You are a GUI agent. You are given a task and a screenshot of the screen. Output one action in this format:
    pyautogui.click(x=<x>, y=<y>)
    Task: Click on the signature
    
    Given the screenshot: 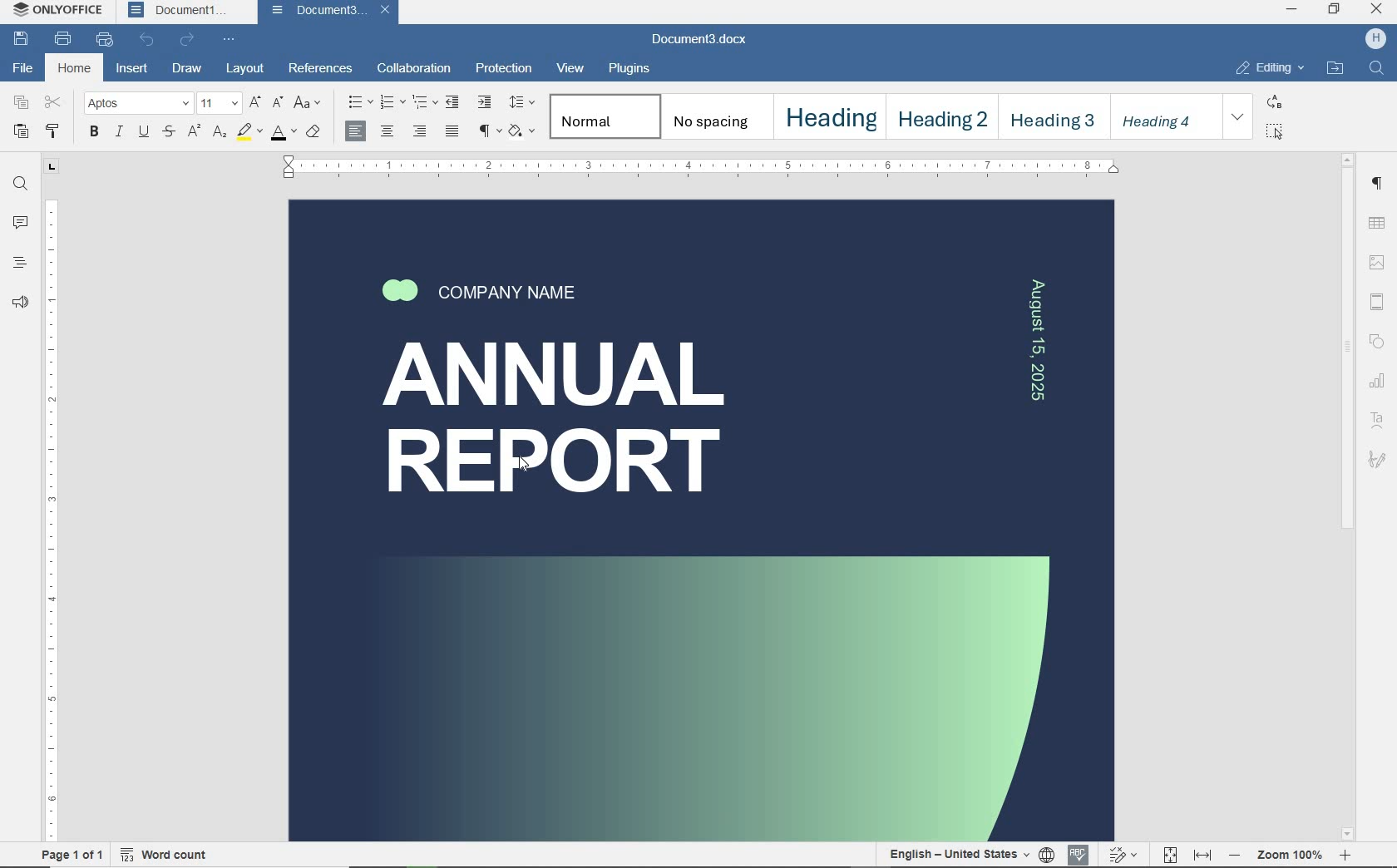 What is the action you would take?
    pyautogui.click(x=1378, y=460)
    